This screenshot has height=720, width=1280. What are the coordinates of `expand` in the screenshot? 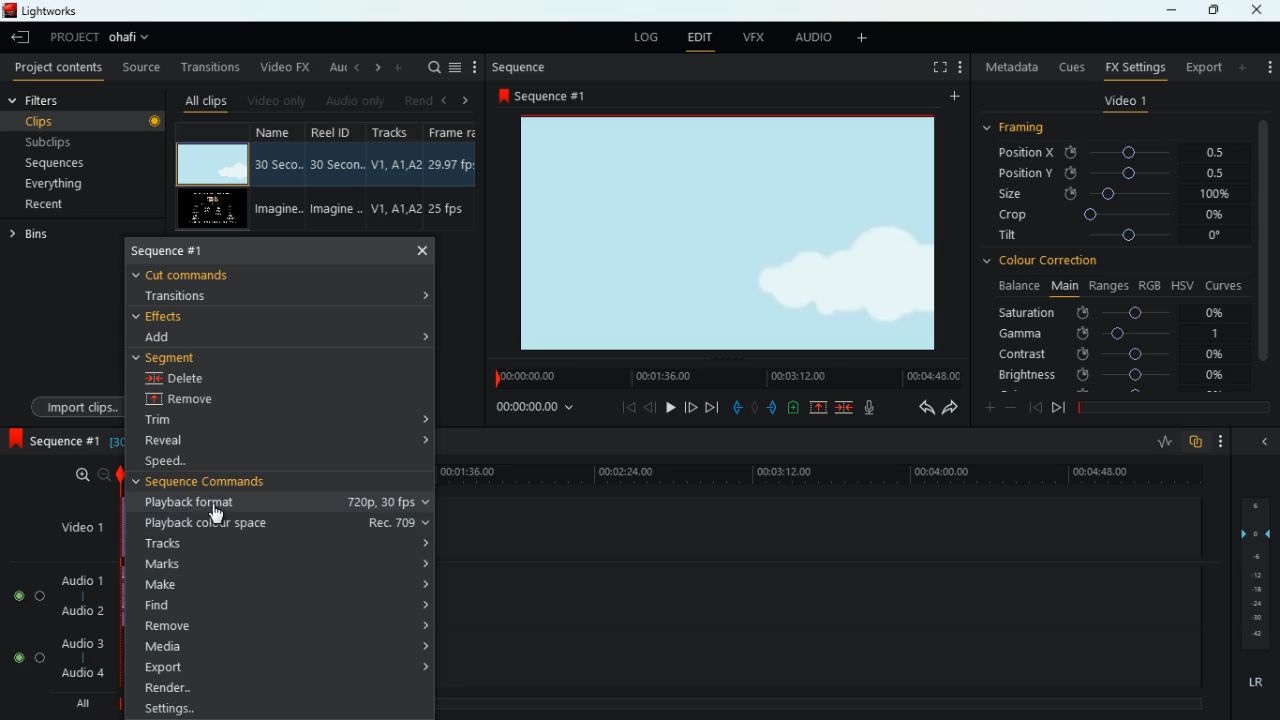 It's located at (424, 441).